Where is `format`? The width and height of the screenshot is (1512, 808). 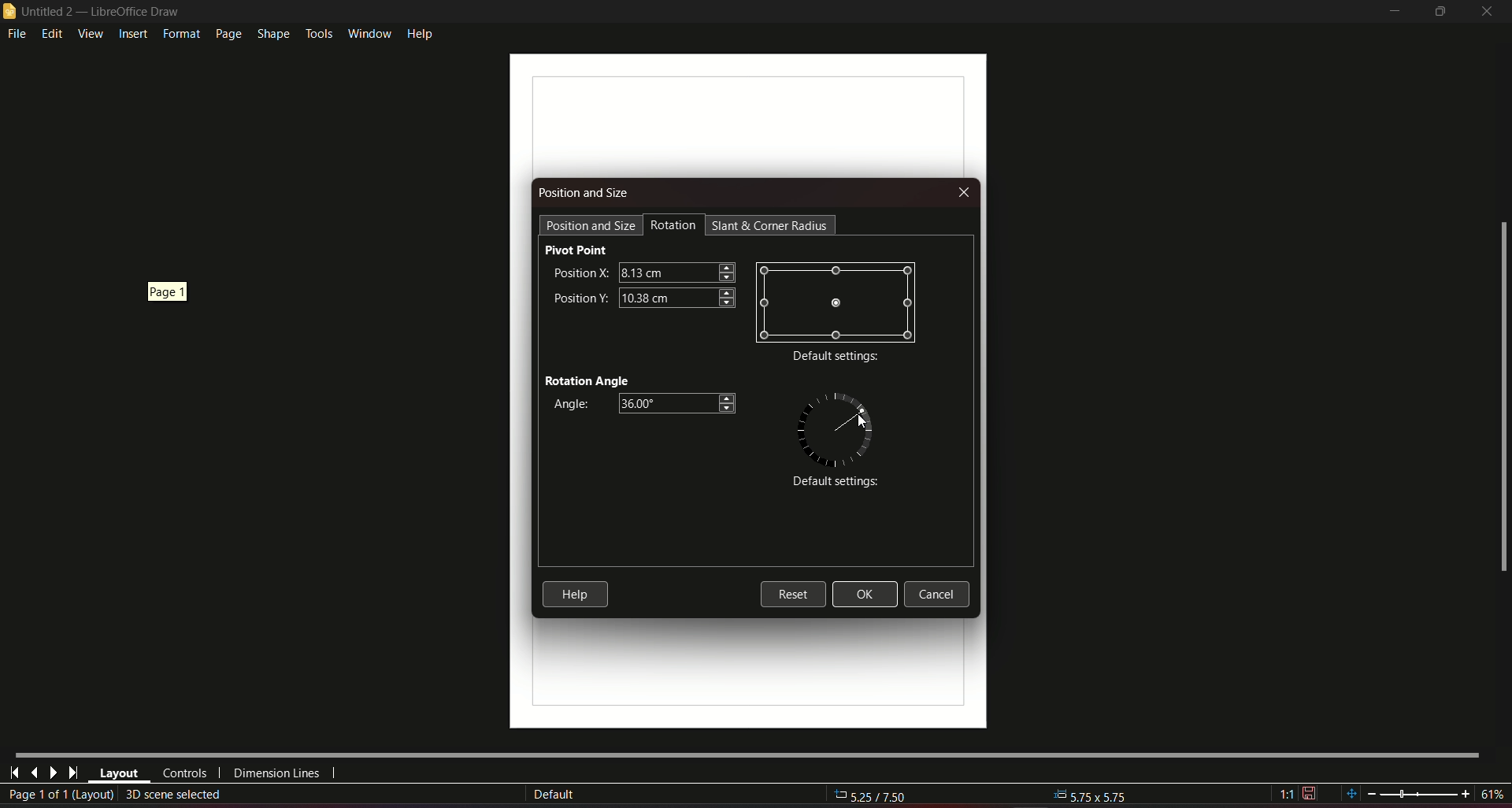
format is located at coordinates (180, 34).